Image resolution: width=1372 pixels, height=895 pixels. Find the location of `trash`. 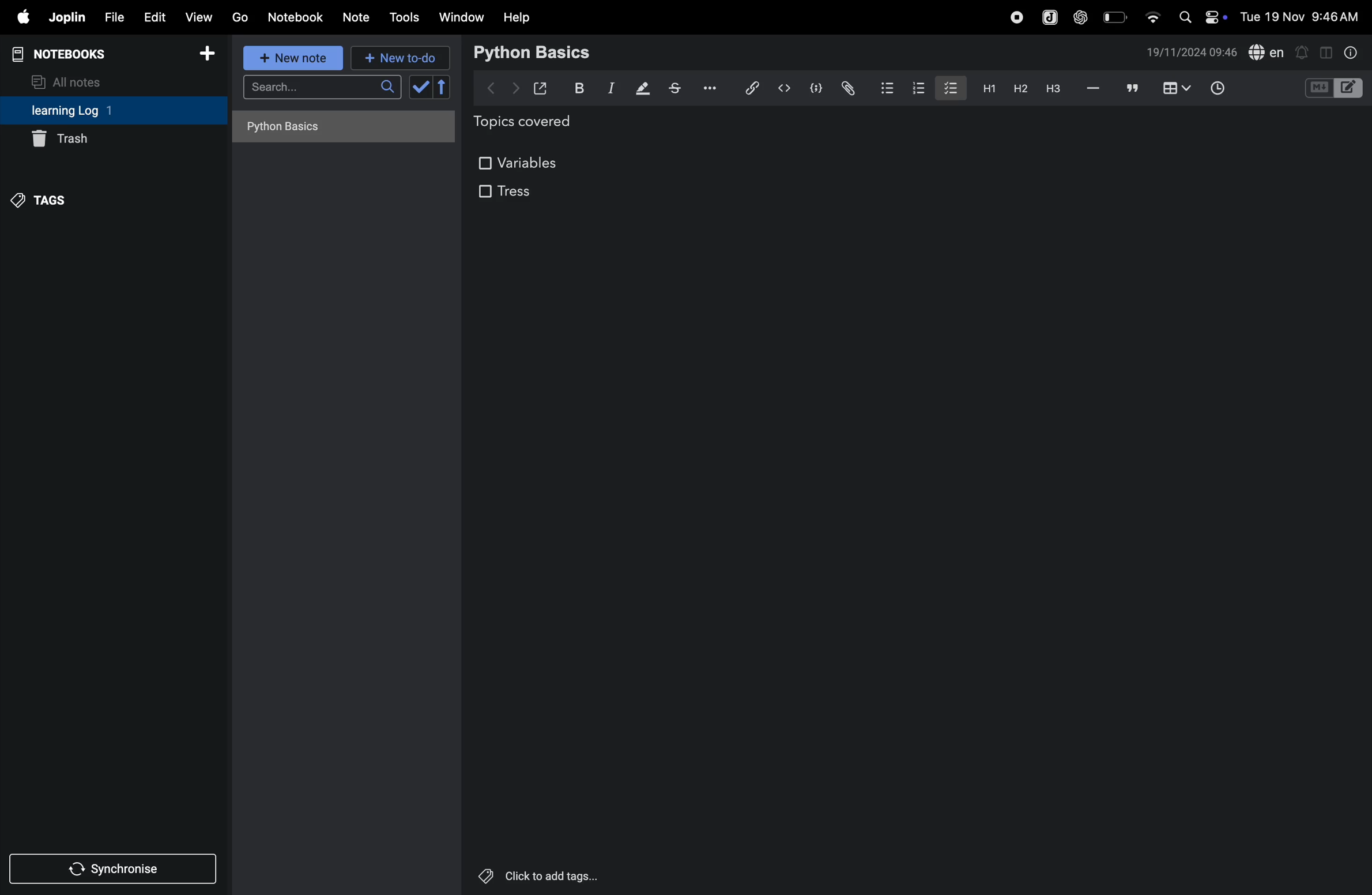

trash is located at coordinates (97, 141).